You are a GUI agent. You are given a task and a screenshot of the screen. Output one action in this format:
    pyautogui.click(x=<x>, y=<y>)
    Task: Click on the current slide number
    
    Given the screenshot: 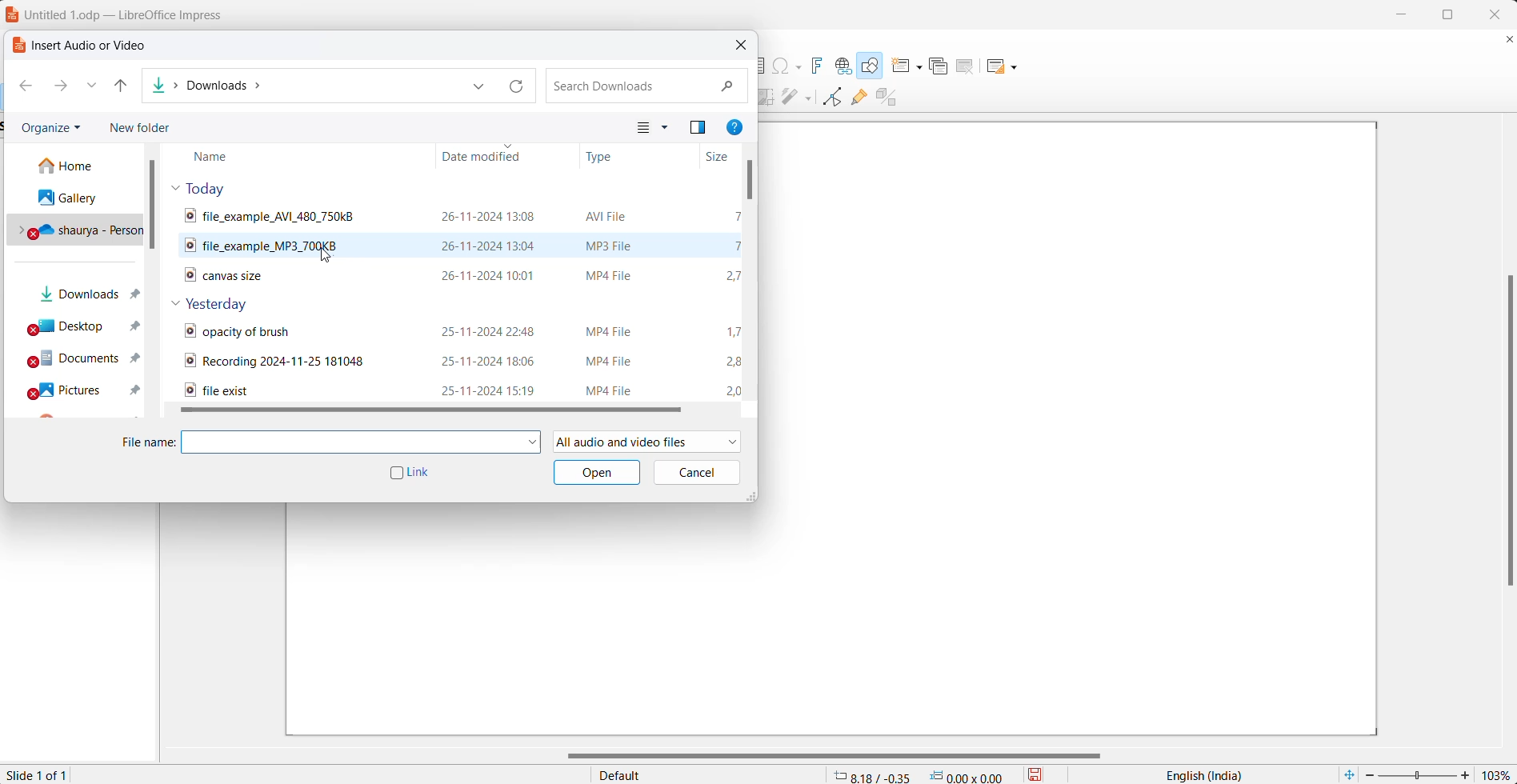 What is the action you would take?
    pyautogui.click(x=37, y=775)
    